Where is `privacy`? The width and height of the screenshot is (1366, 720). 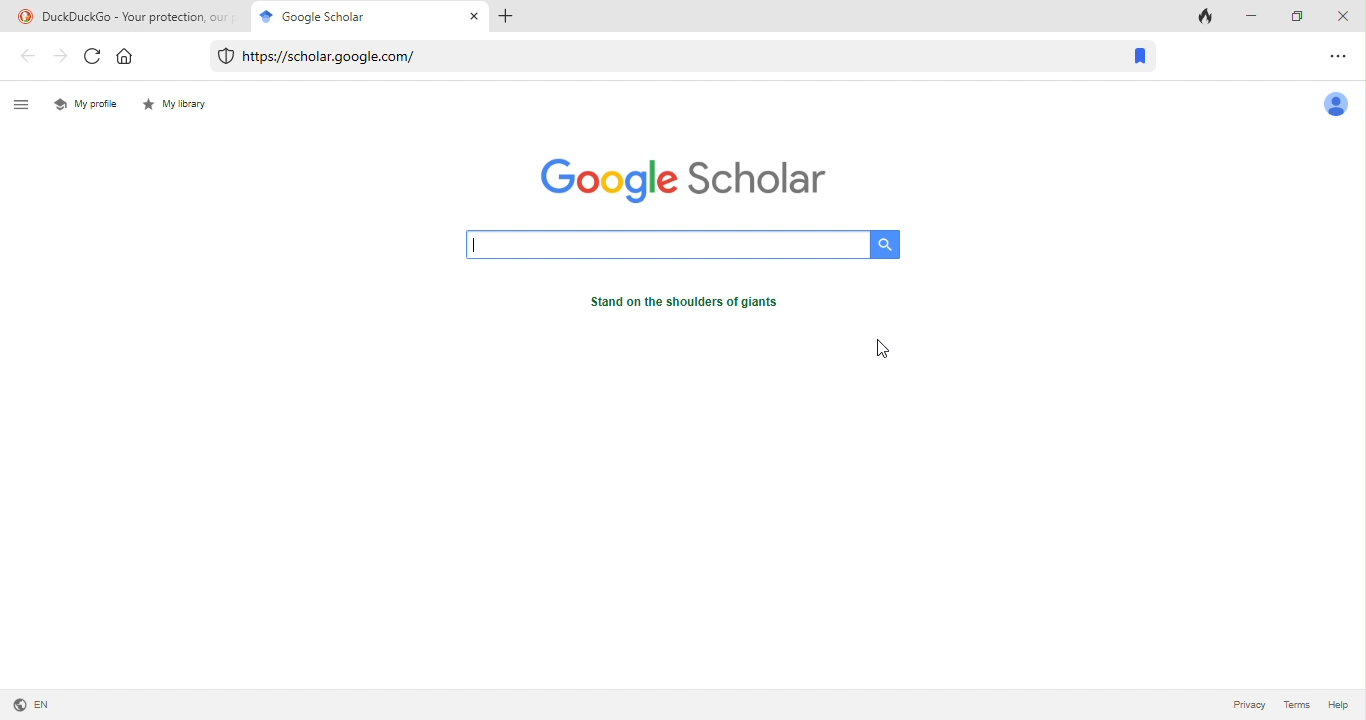
privacy is located at coordinates (1249, 707).